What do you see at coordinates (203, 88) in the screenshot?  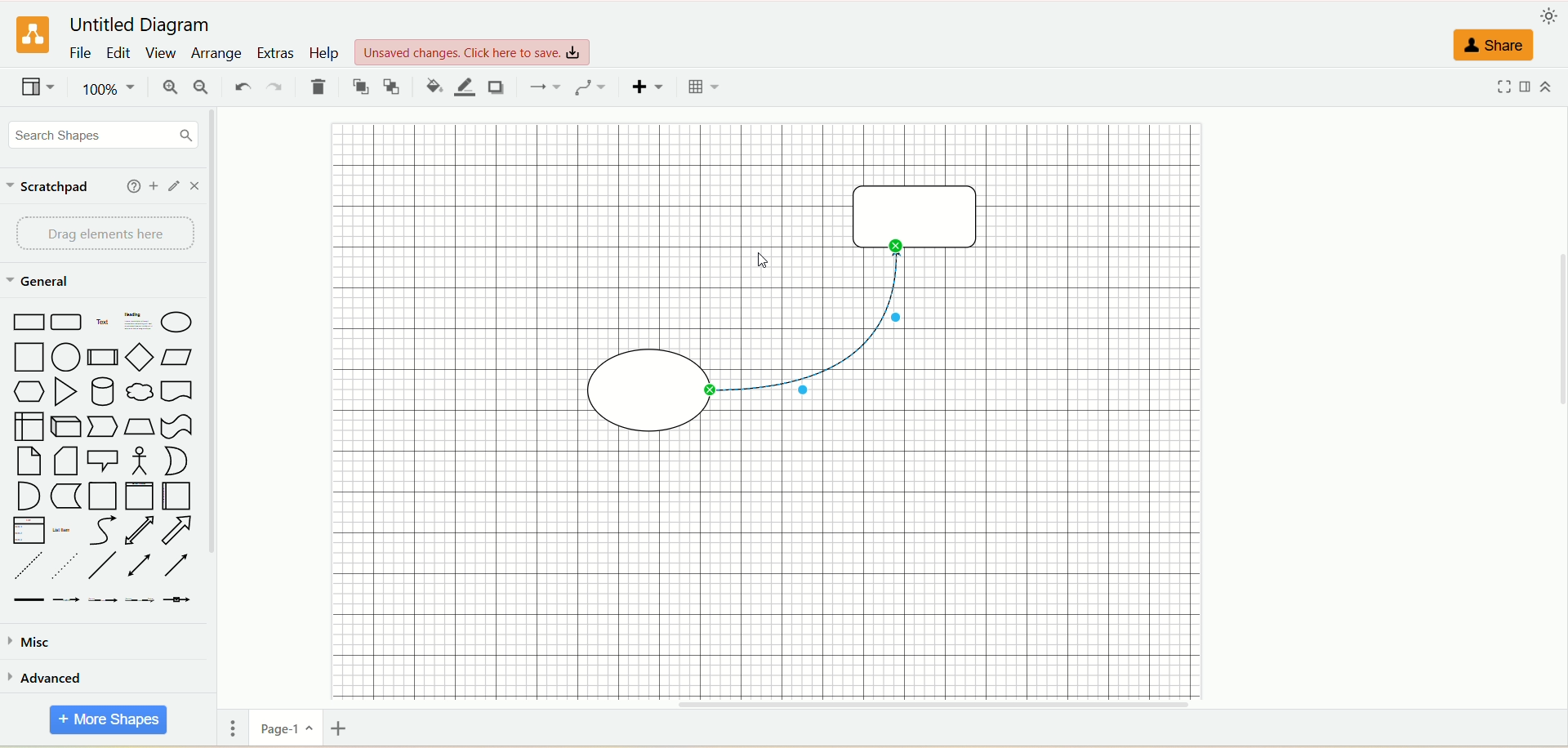 I see `zoom out` at bounding box center [203, 88].